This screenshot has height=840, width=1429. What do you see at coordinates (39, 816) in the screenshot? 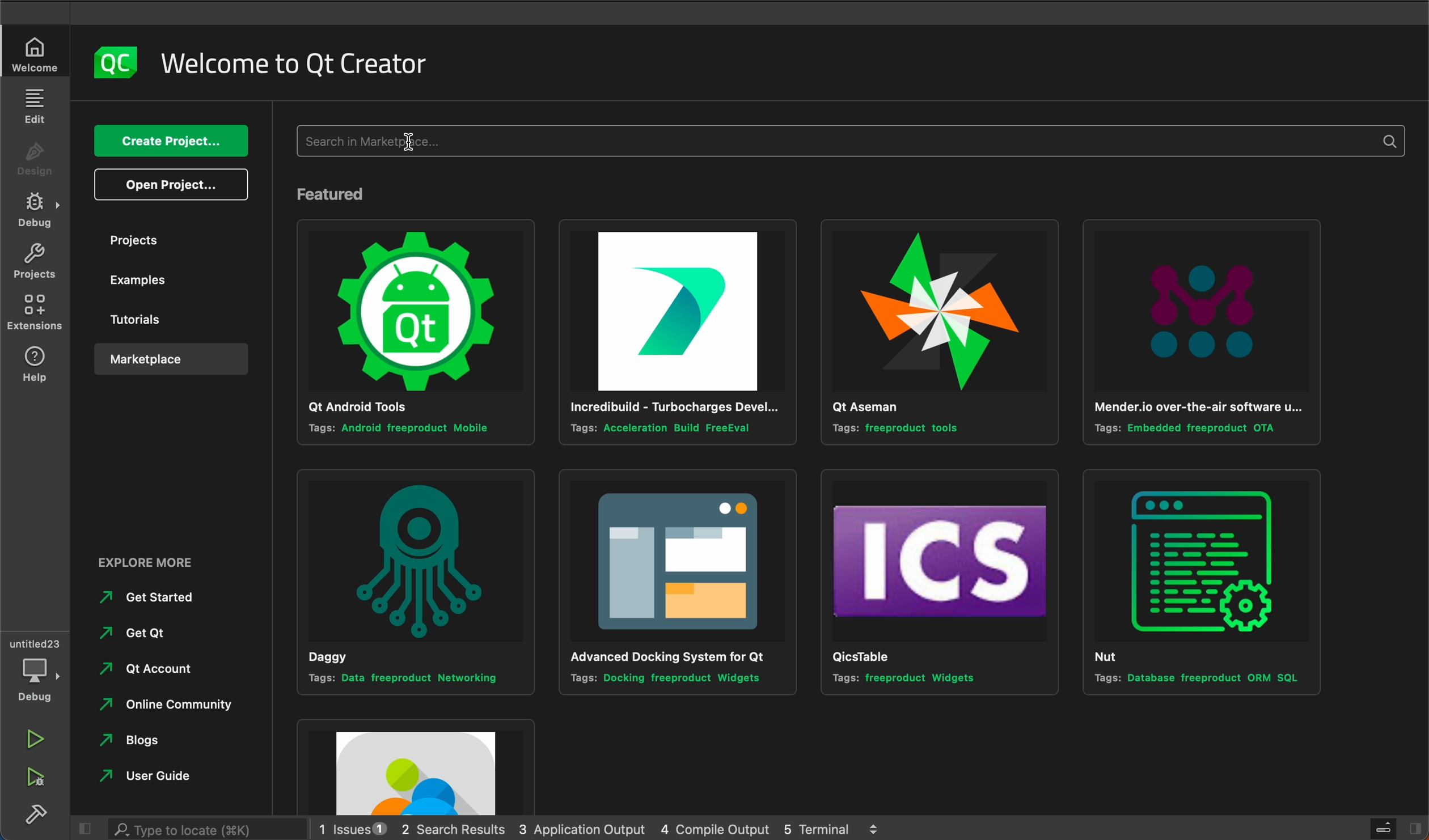
I see `build` at bounding box center [39, 816].